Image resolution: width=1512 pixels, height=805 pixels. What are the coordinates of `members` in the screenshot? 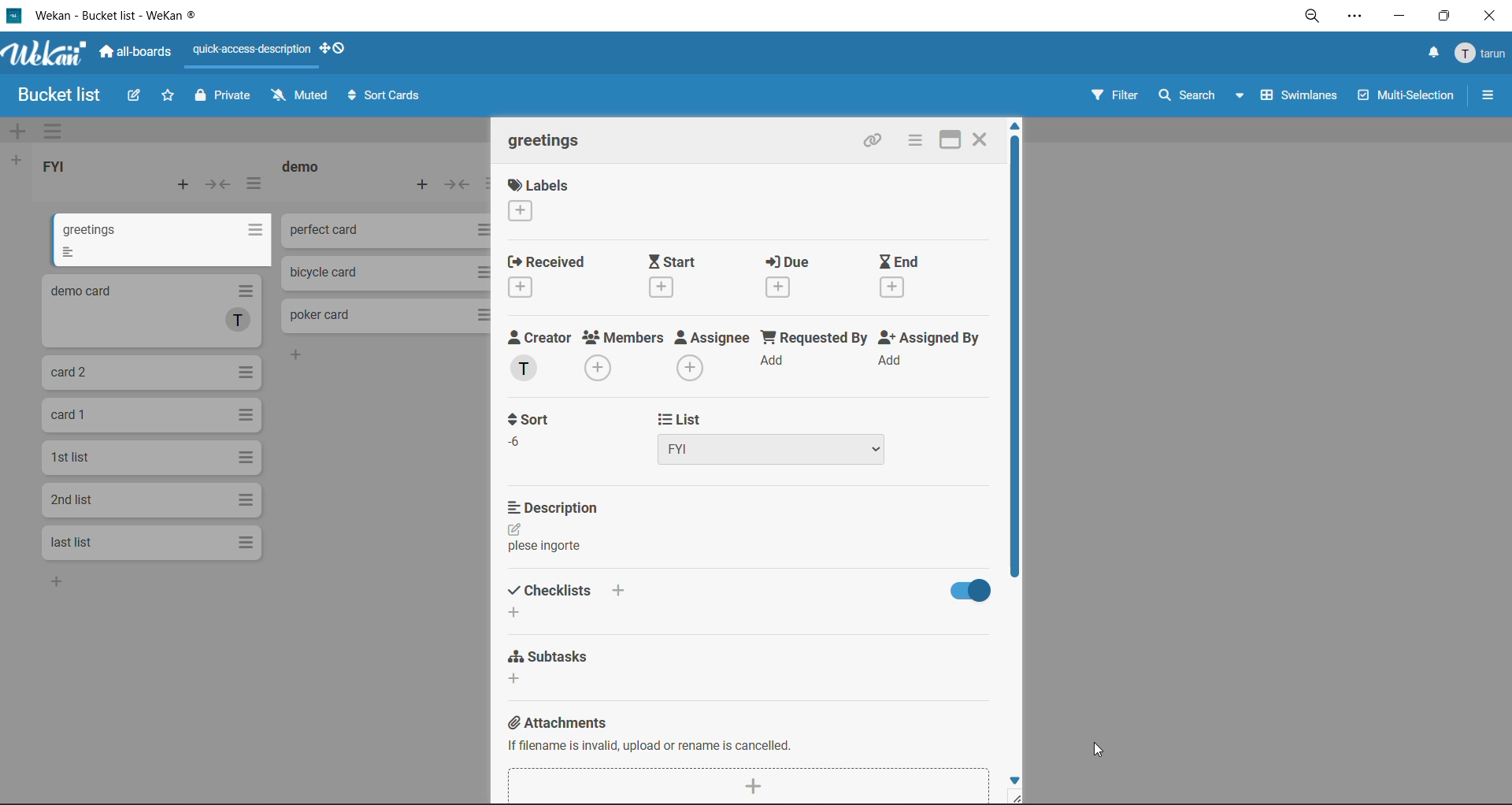 It's located at (624, 356).